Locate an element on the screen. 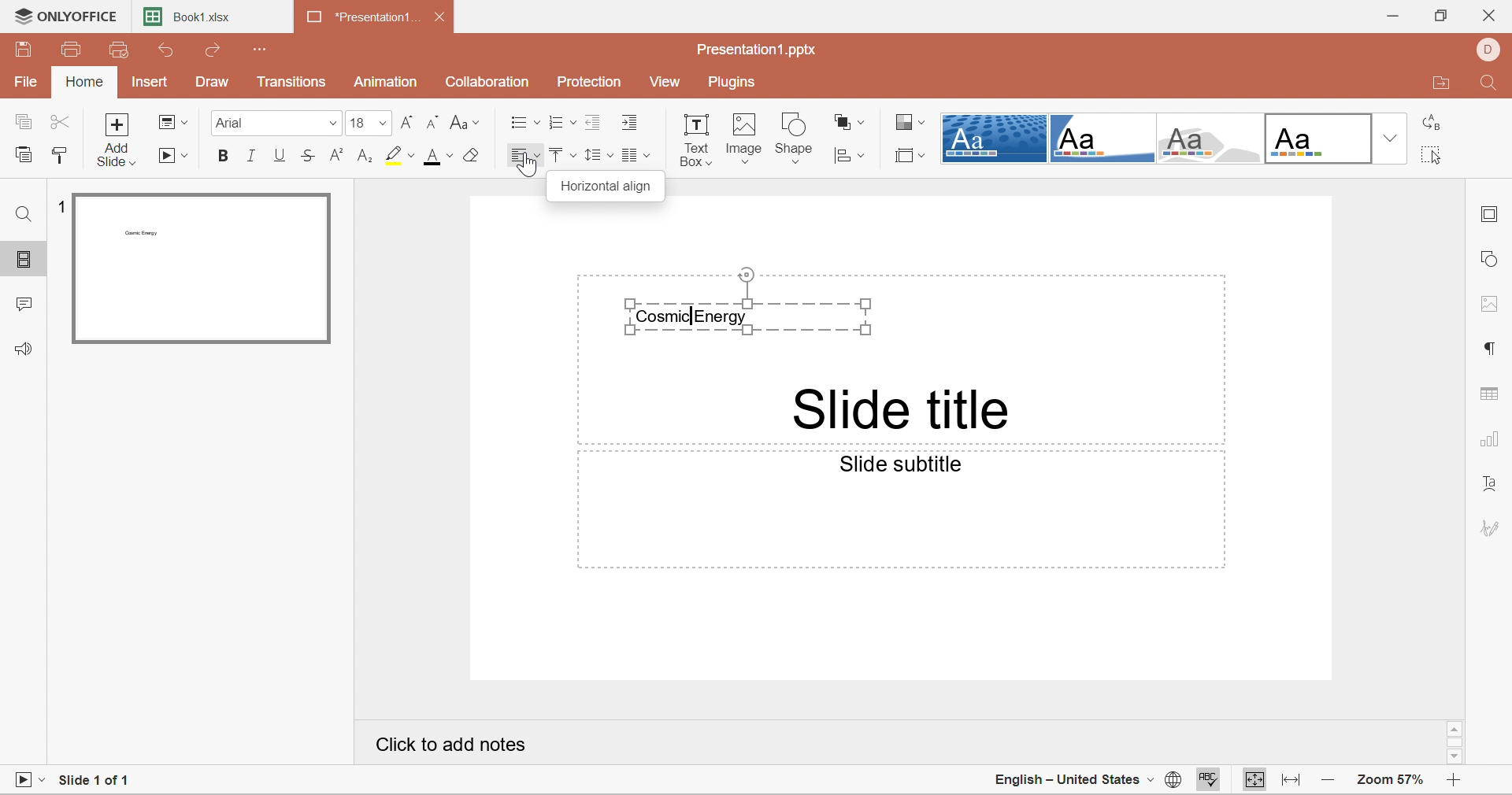  Change slide layout is located at coordinates (172, 121).